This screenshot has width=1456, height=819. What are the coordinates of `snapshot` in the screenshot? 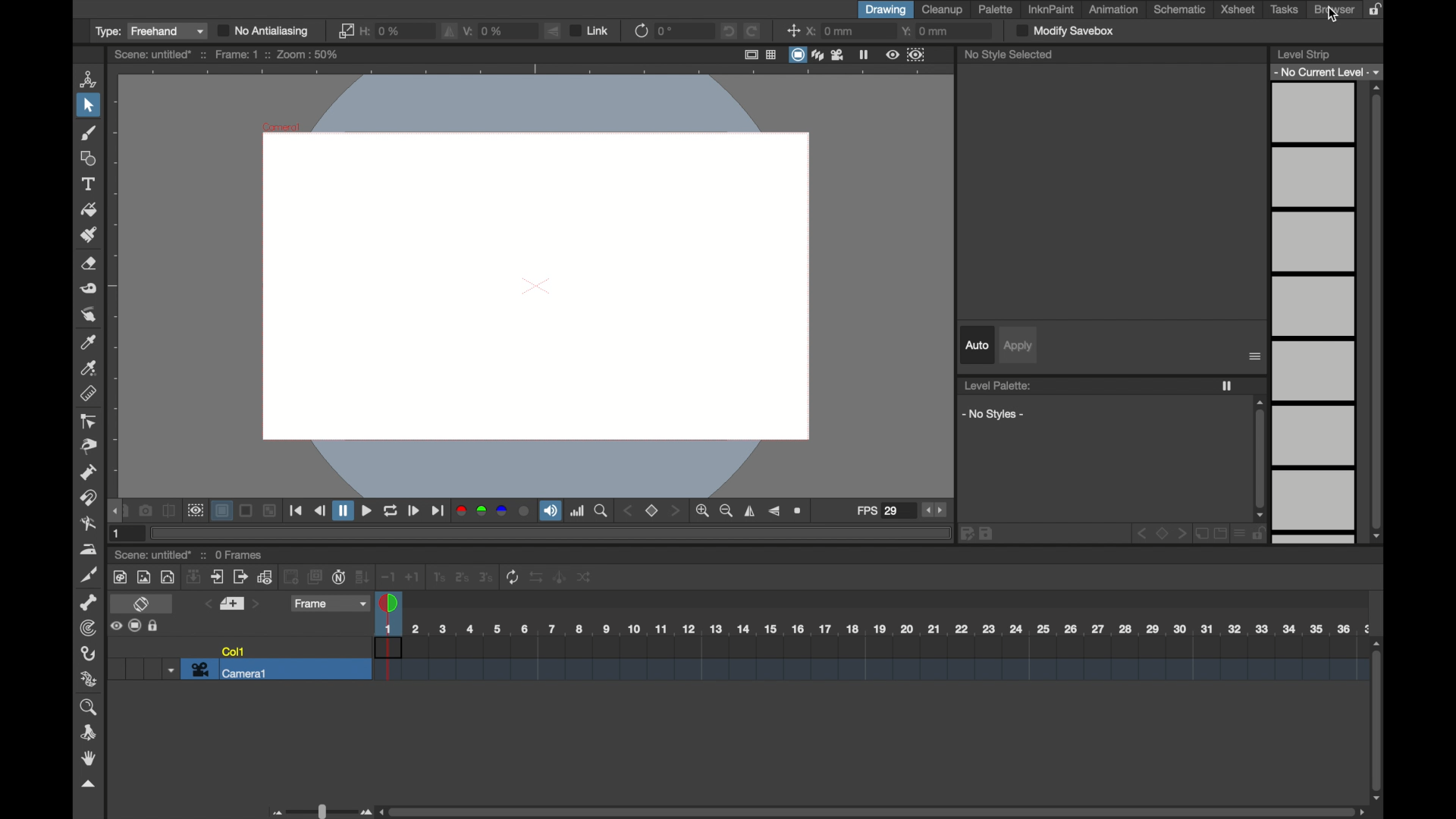 It's located at (143, 510).